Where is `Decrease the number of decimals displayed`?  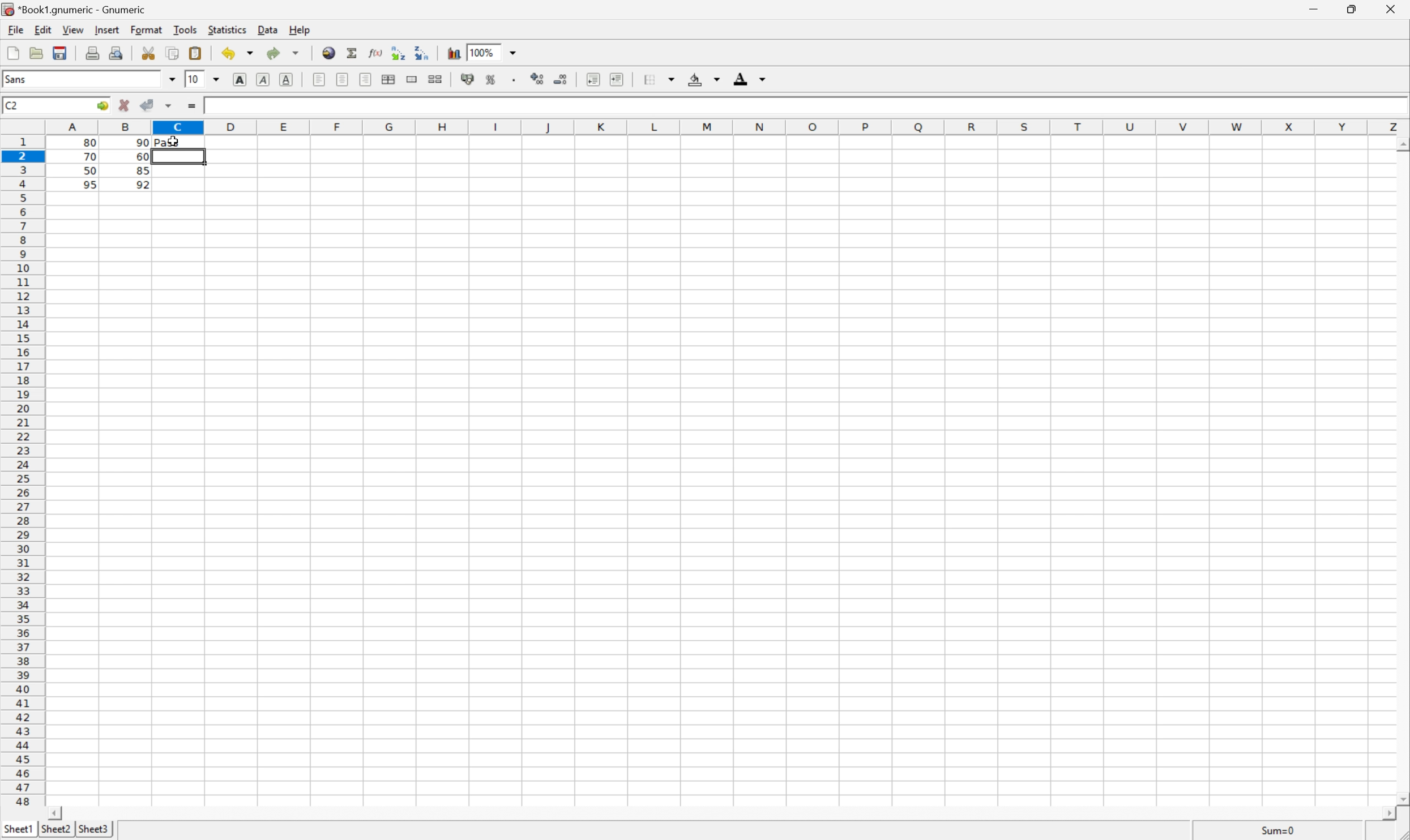
Decrease the number of decimals displayed is located at coordinates (563, 79).